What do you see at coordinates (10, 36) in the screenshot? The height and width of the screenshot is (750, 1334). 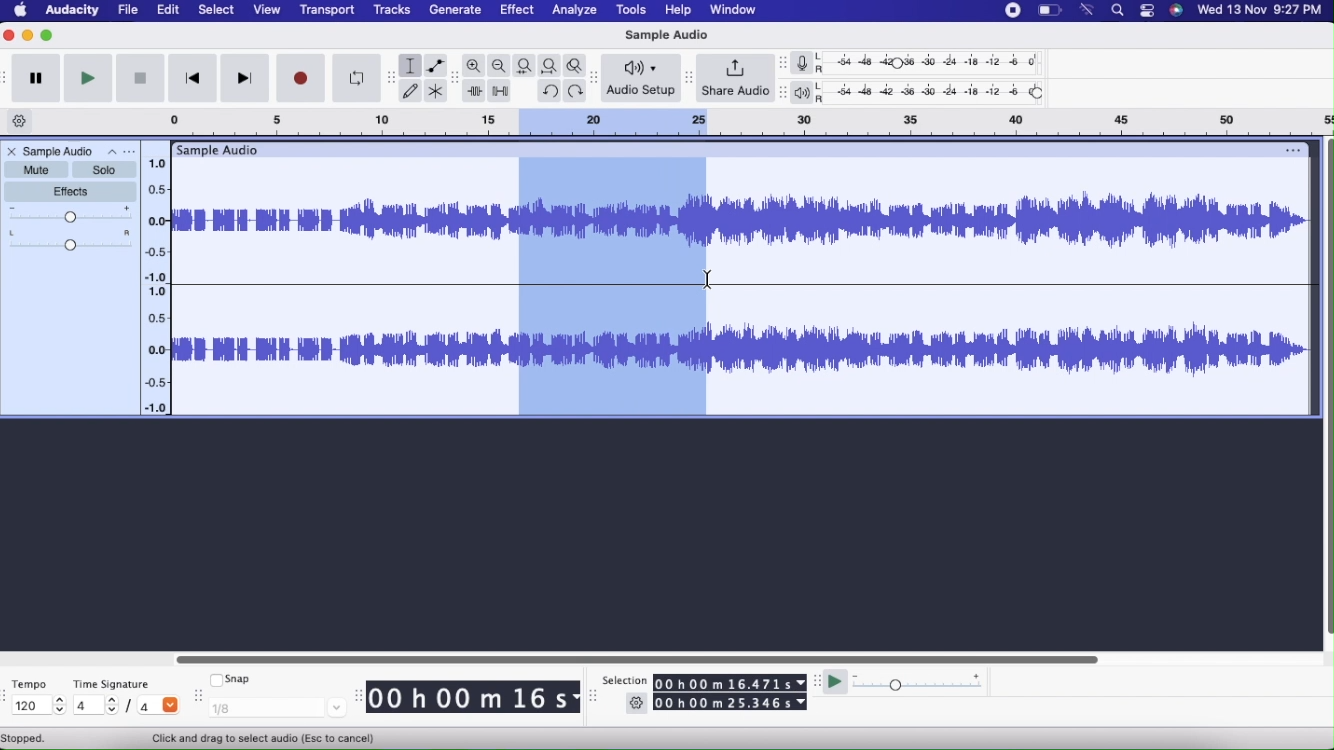 I see `Close` at bounding box center [10, 36].